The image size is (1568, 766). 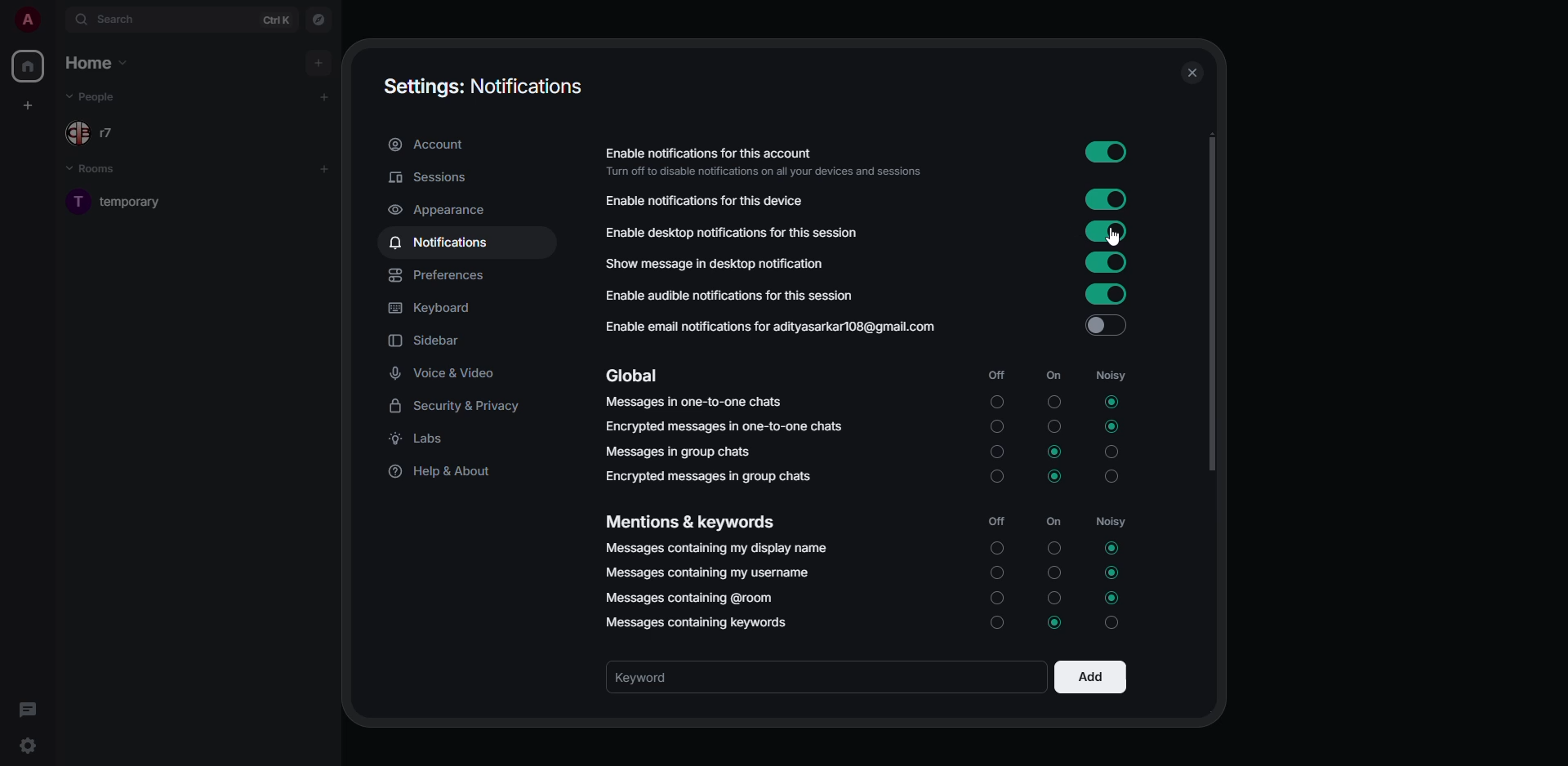 I want to click on enabled, so click(x=1110, y=154).